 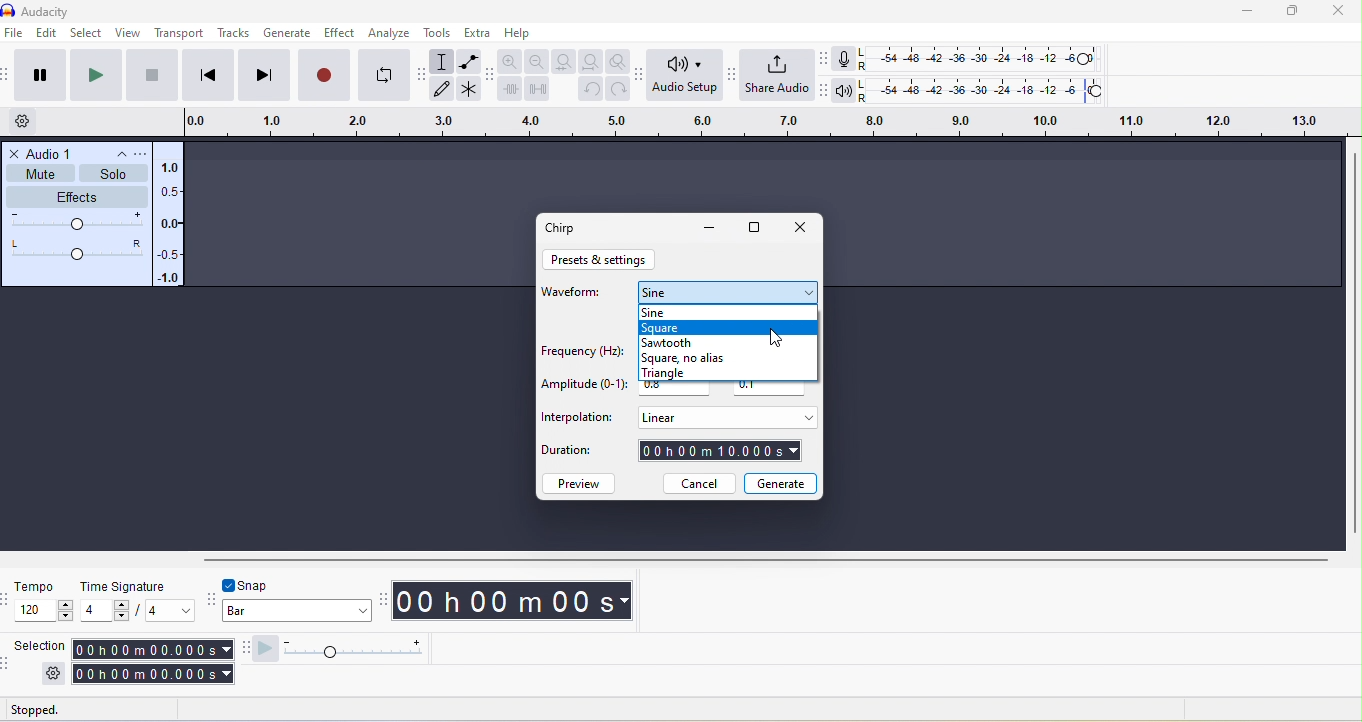 What do you see at coordinates (243, 649) in the screenshot?
I see `audacity play at speed toolbar` at bounding box center [243, 649].